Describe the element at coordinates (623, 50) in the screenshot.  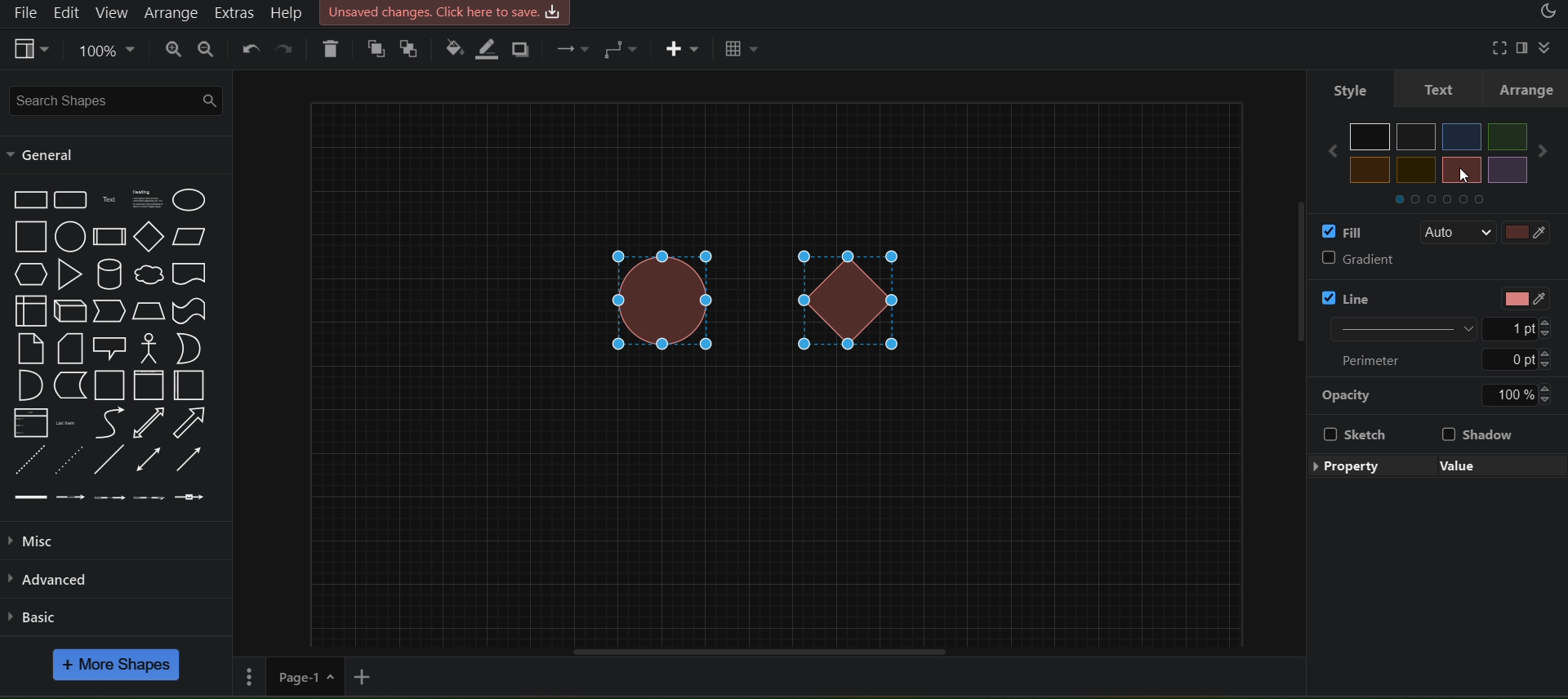
I see `connection` at that location.